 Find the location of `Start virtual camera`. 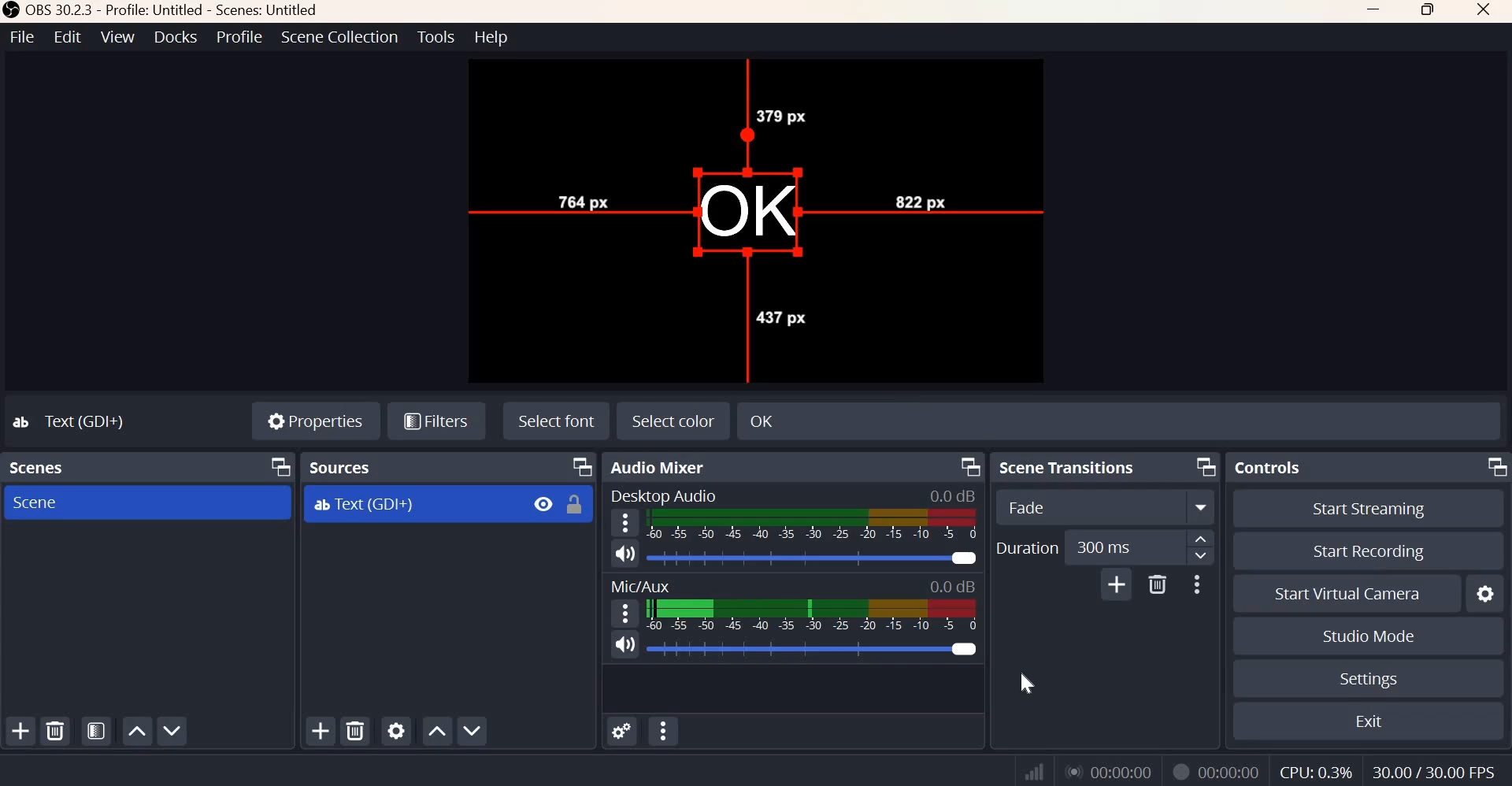

Start virtual camera is located at coordinates (1350, 592).